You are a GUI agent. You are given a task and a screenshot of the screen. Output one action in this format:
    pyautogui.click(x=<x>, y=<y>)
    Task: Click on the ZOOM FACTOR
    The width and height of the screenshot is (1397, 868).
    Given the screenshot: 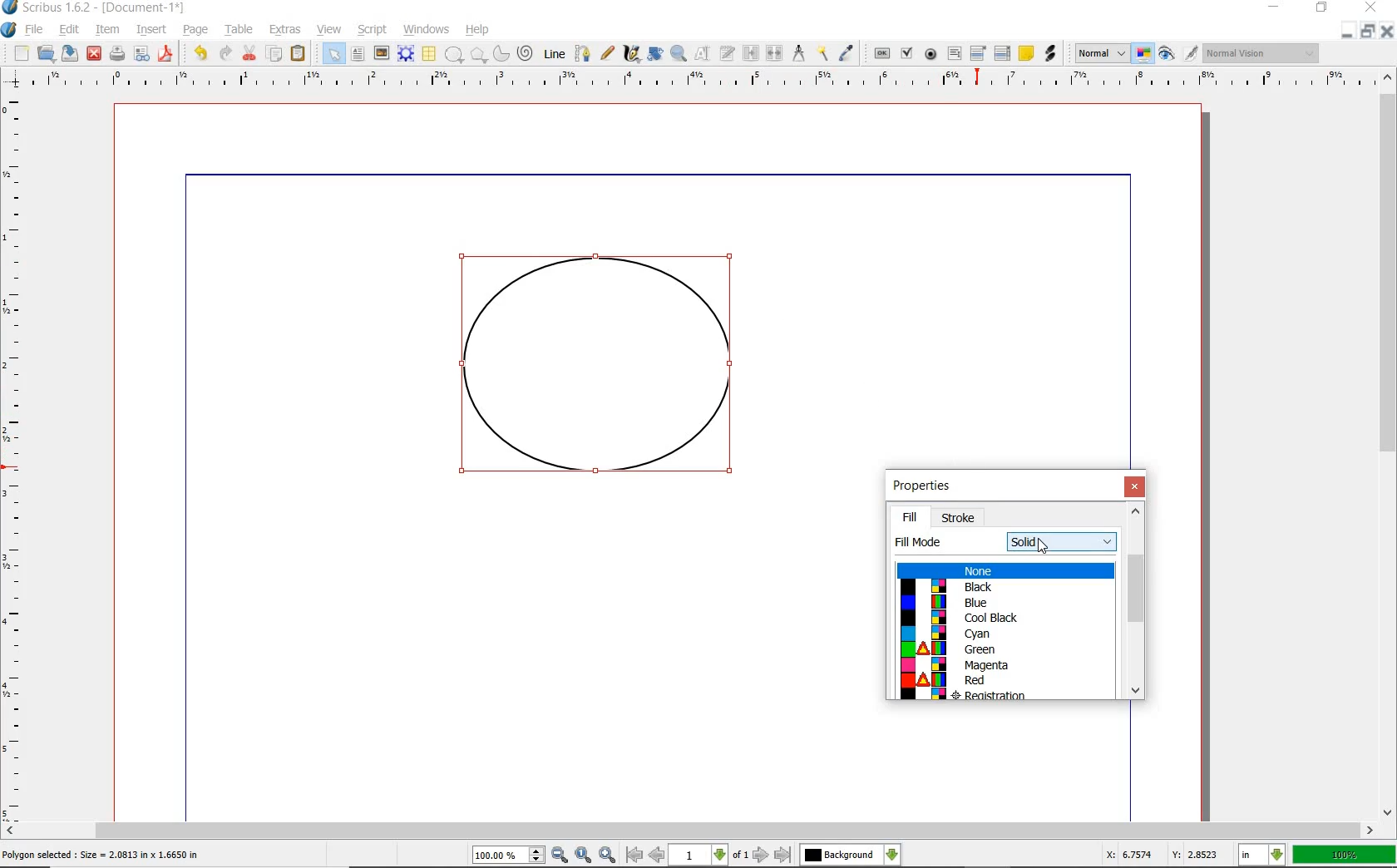 What is the action you would take?
    pyautogui.click(x=1344, y=856)
    